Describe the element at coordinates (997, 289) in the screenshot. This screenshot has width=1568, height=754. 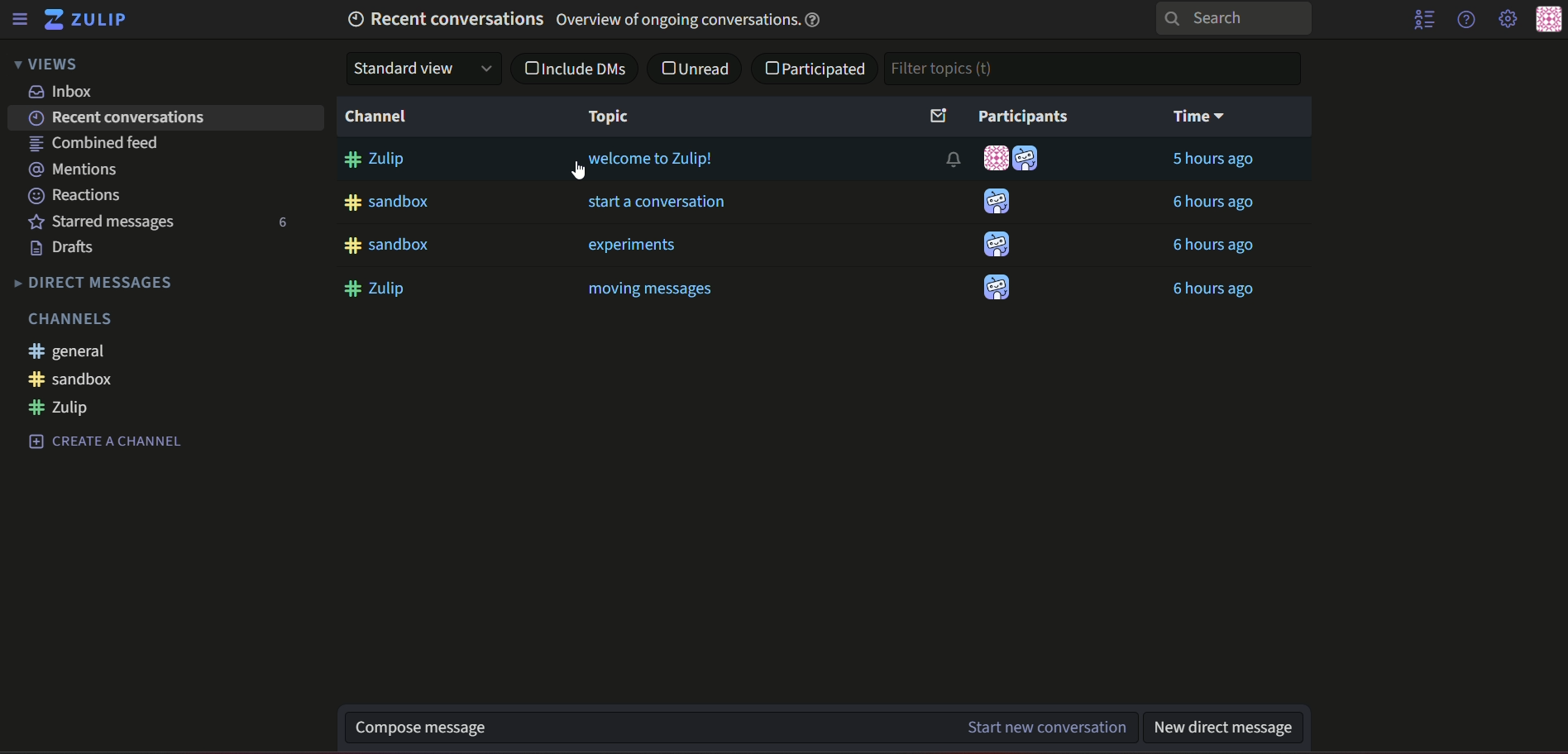
I see `icon` at that location.